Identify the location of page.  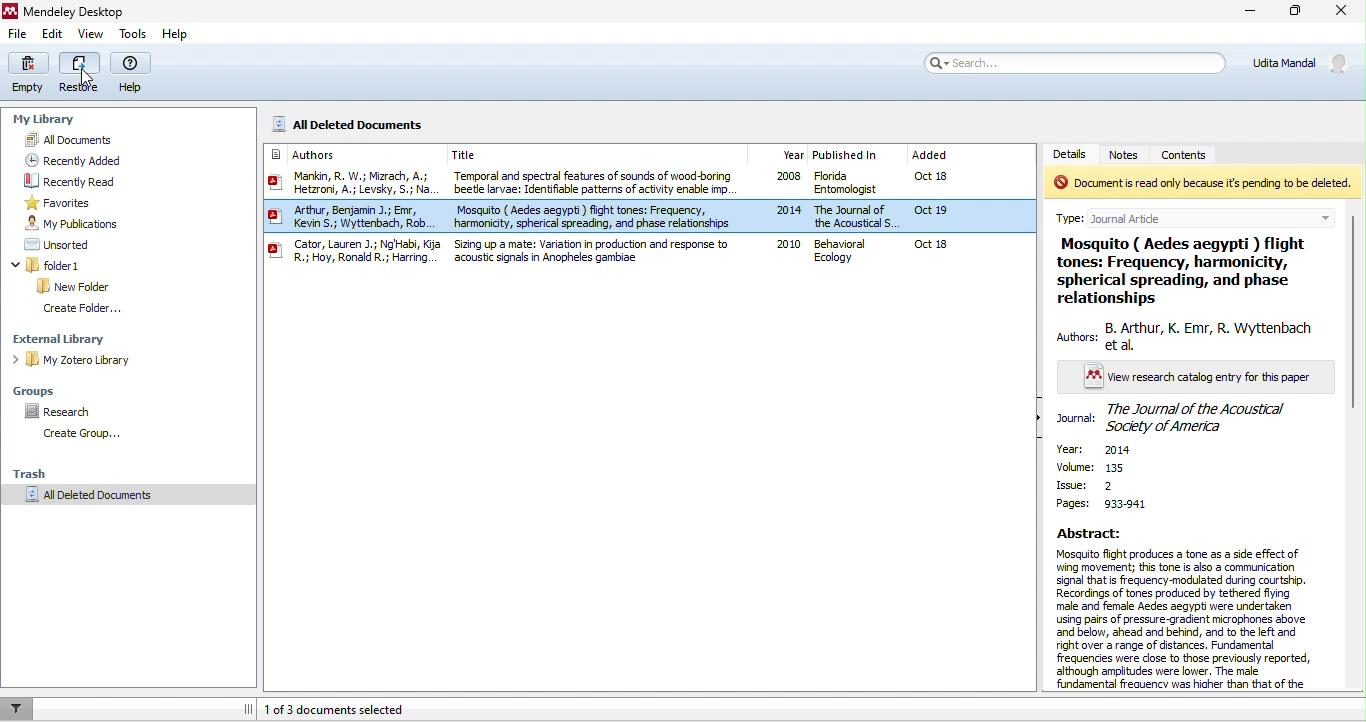
(1103, 504).